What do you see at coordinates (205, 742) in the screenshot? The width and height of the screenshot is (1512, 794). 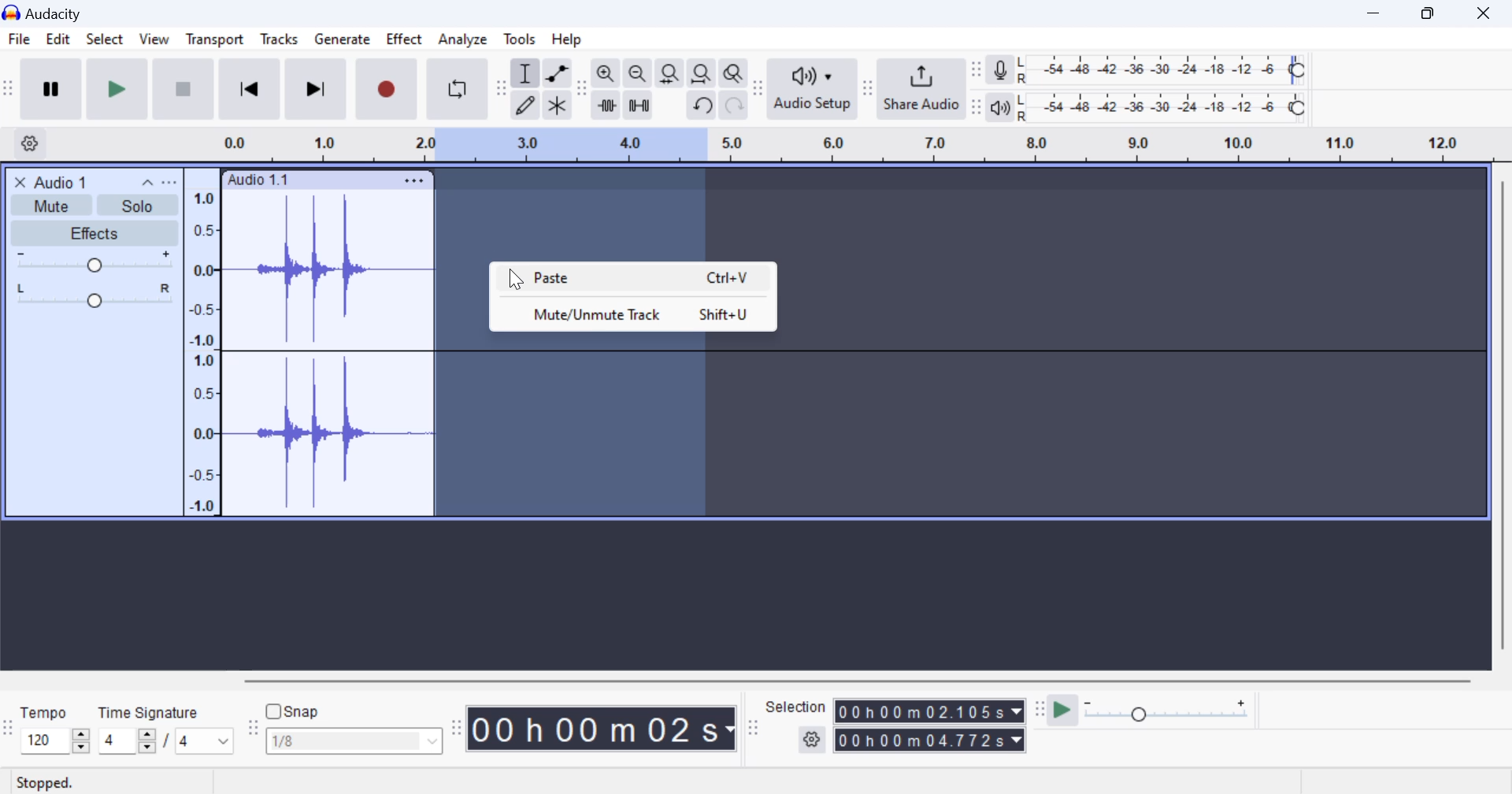 I see `Max time signature options` at bounding box center [205, 742].